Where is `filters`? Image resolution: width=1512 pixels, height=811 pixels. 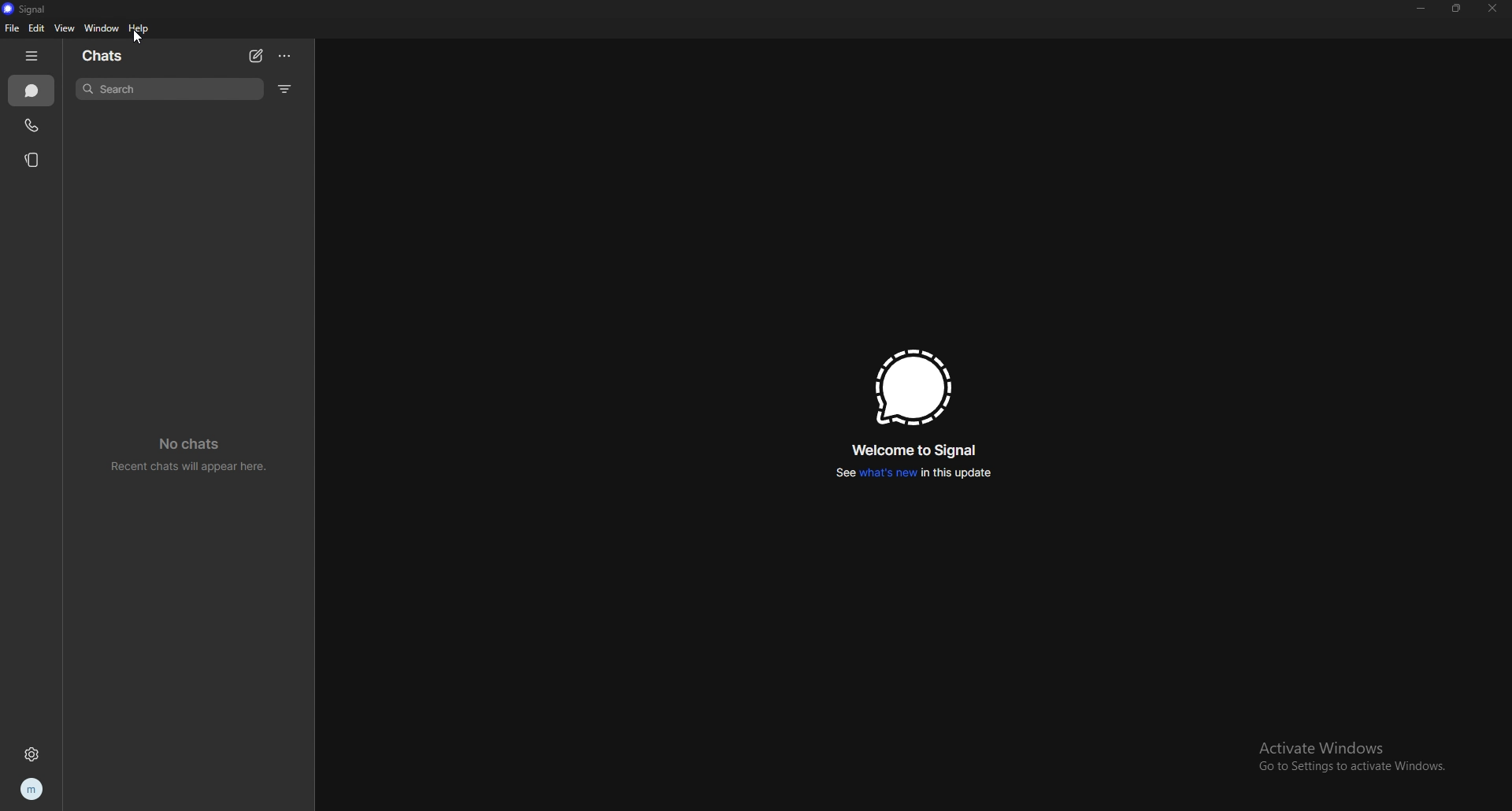
filters is located at coordinates (285, 88).